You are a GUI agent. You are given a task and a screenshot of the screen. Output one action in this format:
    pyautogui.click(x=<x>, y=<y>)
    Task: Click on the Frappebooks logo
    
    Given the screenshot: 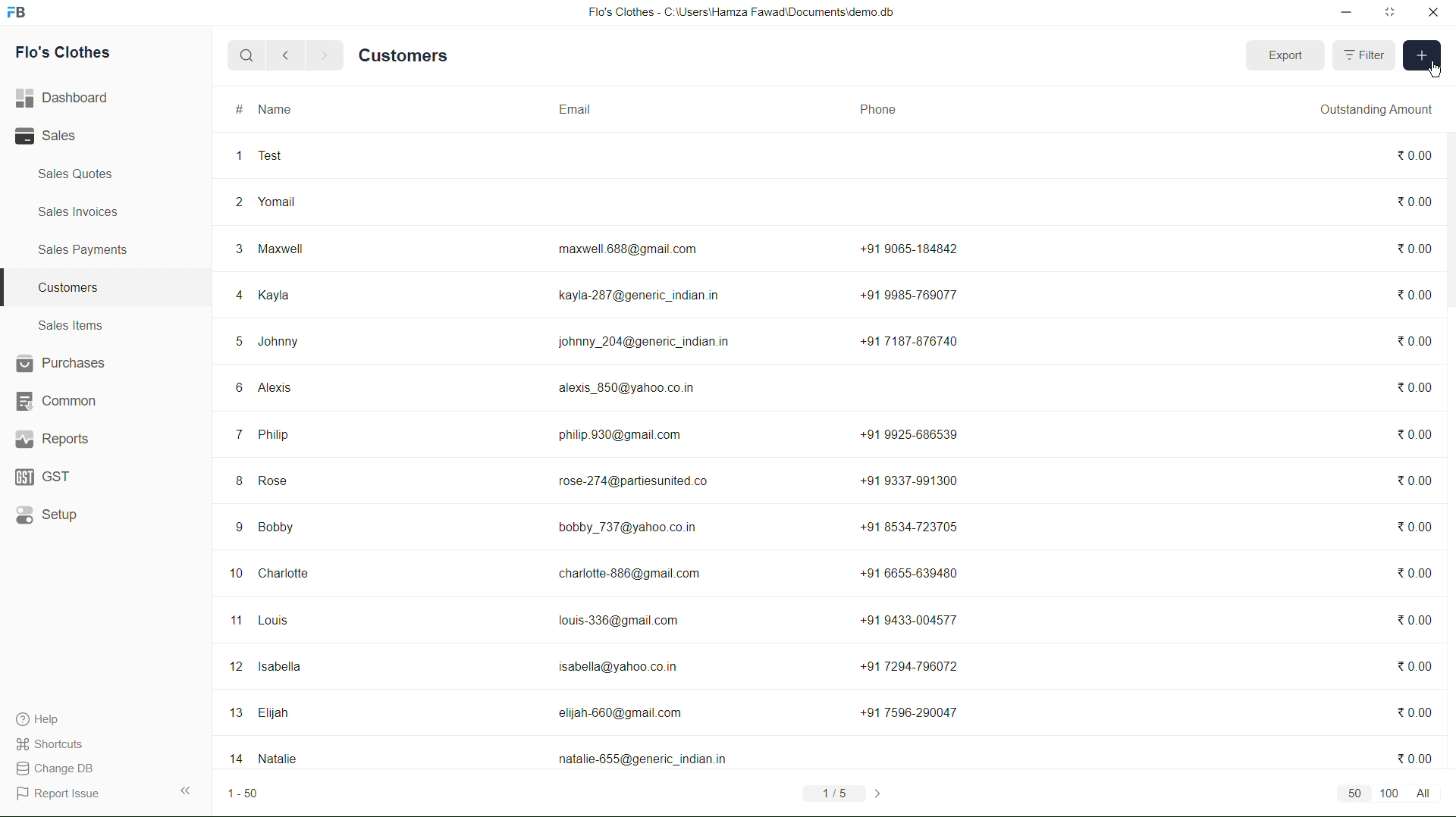 What is the action you would take?
    pyautogui.click(x=24, y=14)
    